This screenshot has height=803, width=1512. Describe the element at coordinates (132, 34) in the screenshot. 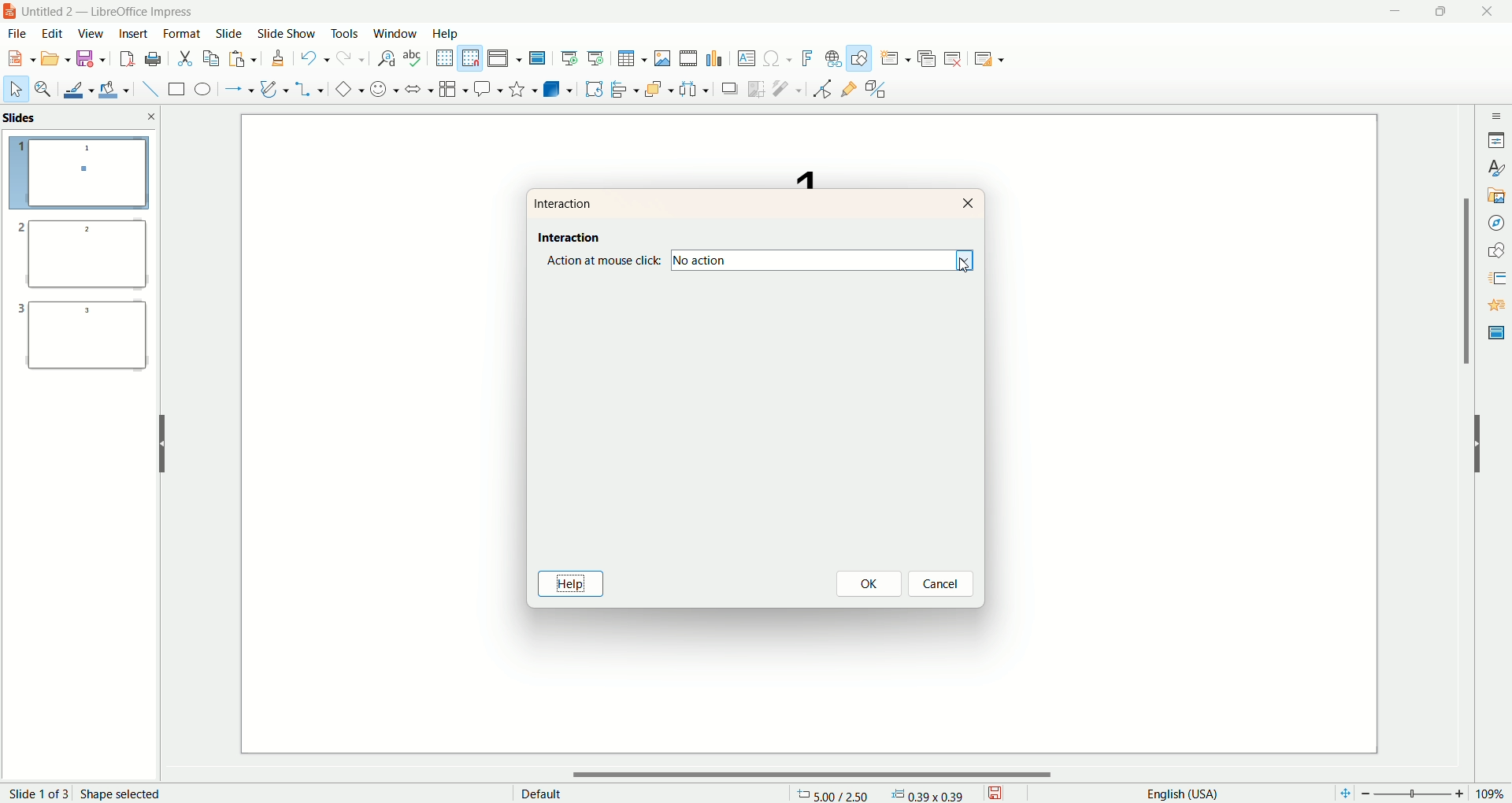

I see `insert` at that location.